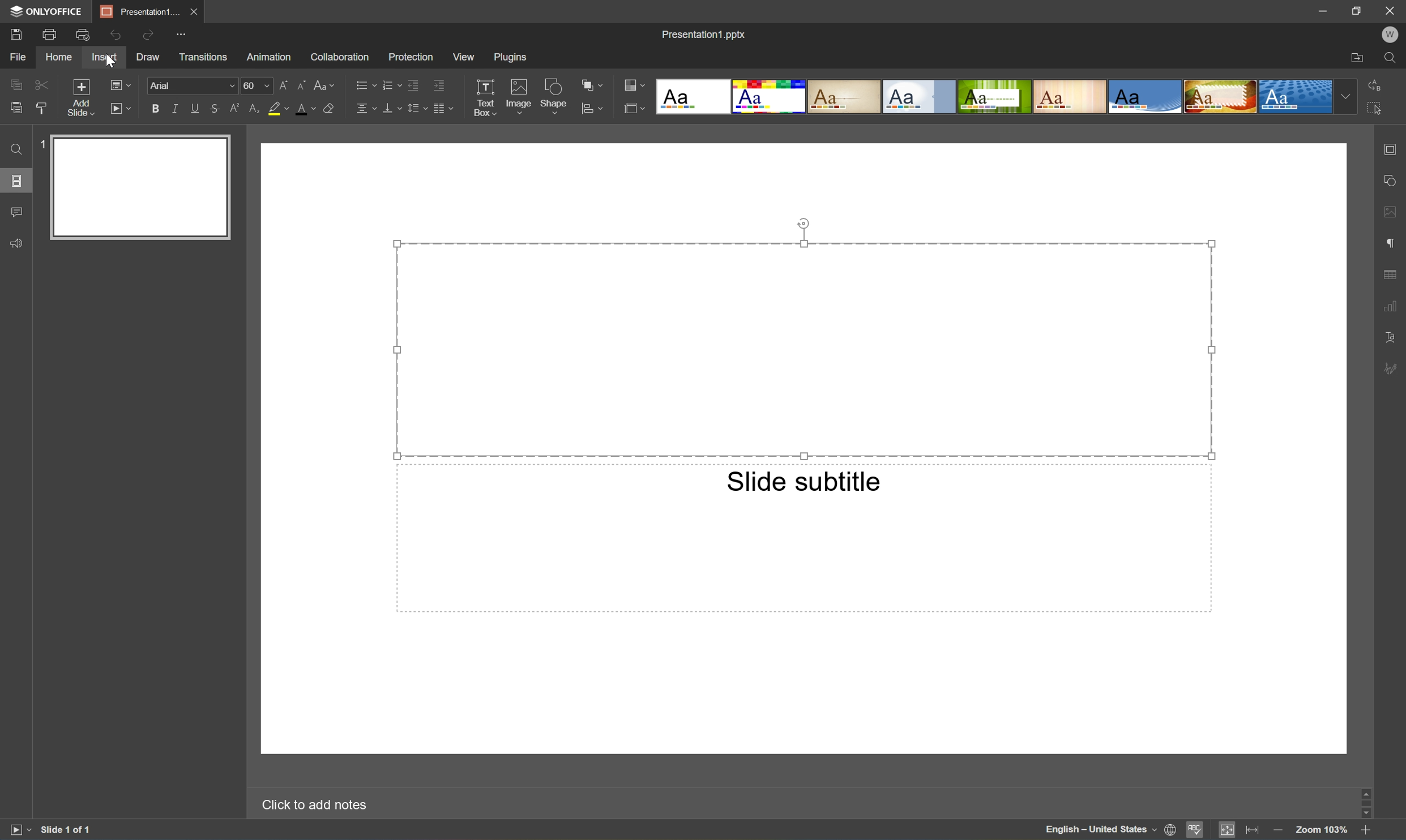  Describe the element at coordinates (18, 211) in the screenshot. I see `Comments` at that location.